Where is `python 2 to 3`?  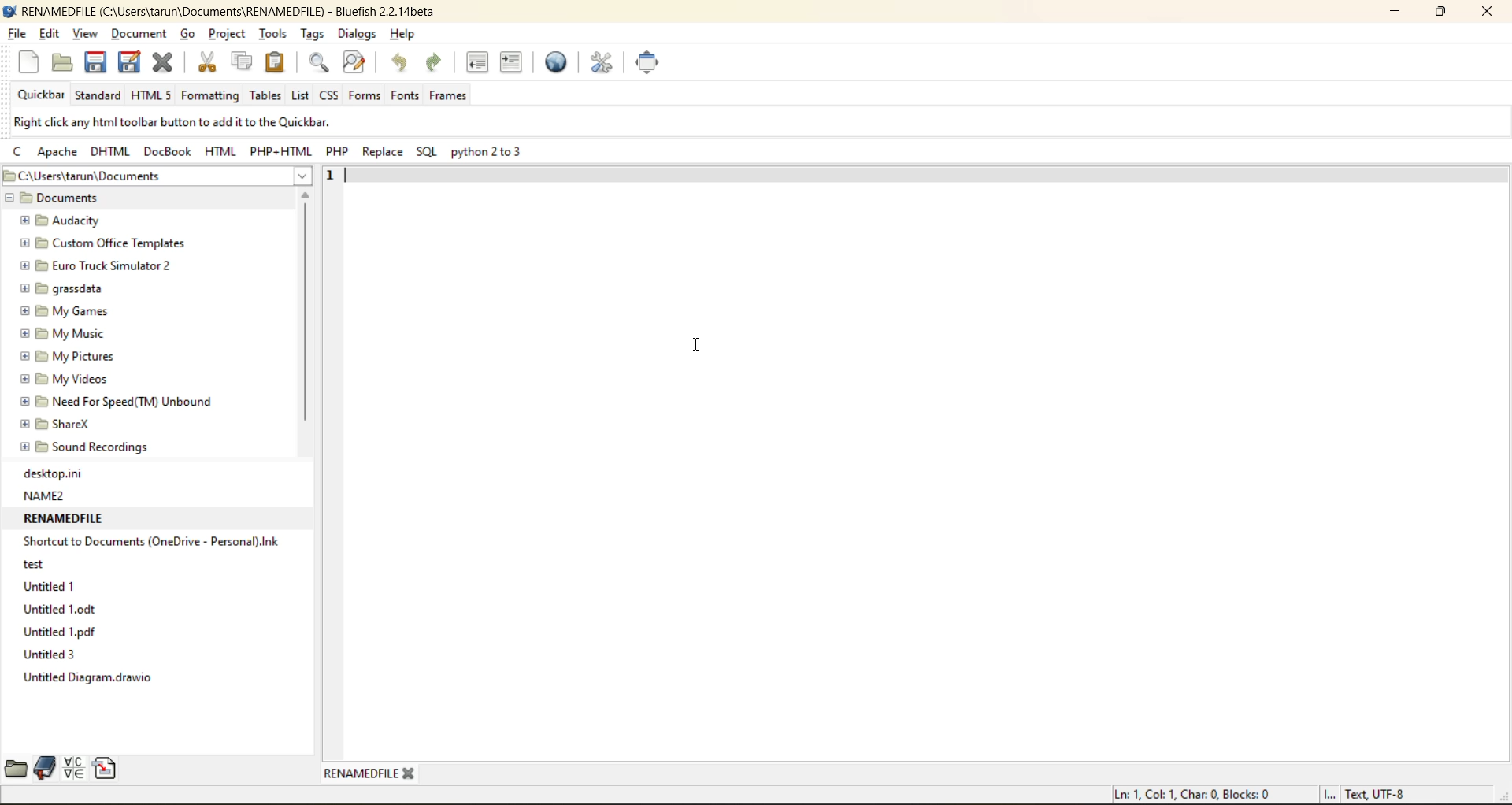 python 2 to 3 is located at coordinates (486, 152).